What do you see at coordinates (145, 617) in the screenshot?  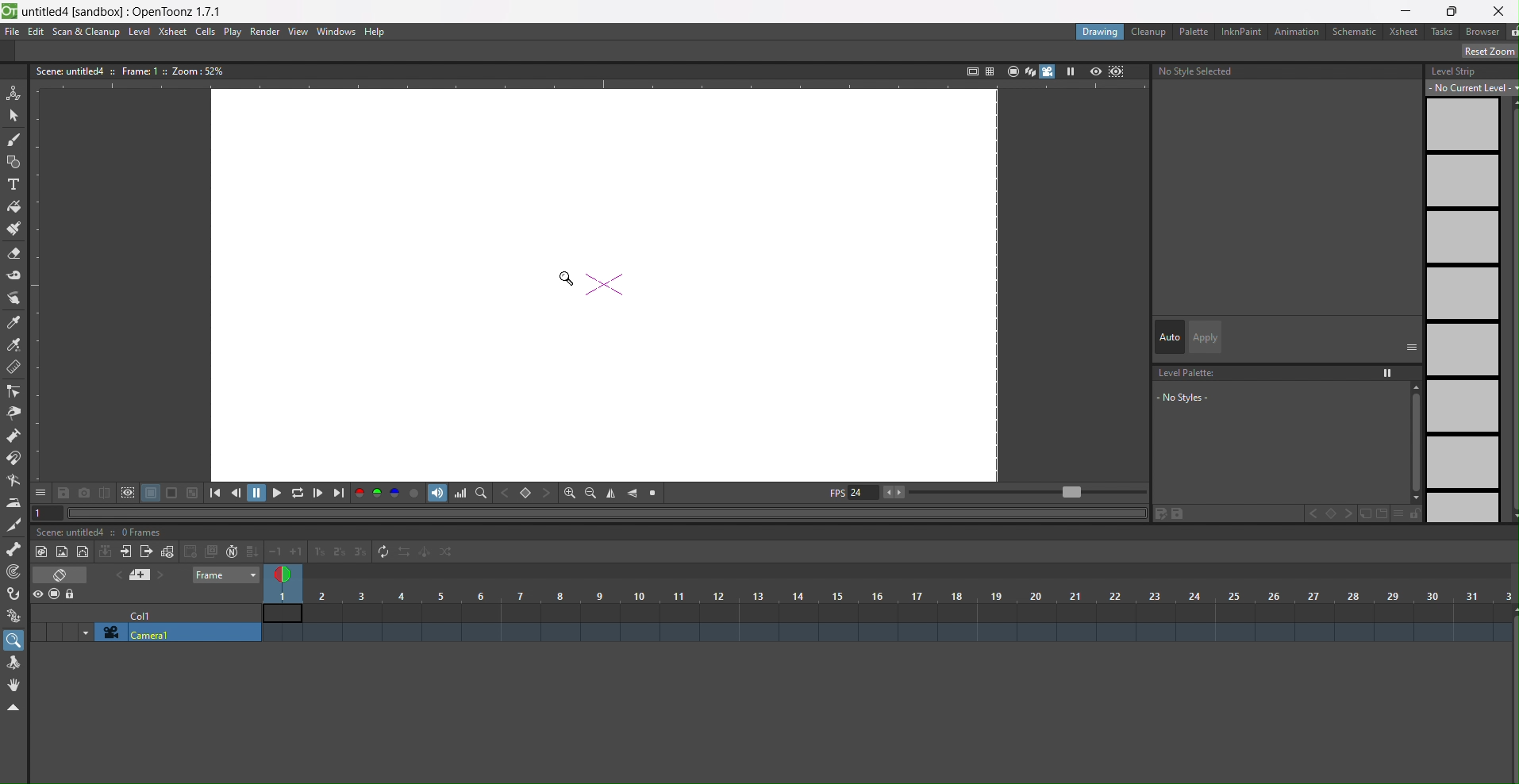 I see `cell` at bounding box center [145, 617].